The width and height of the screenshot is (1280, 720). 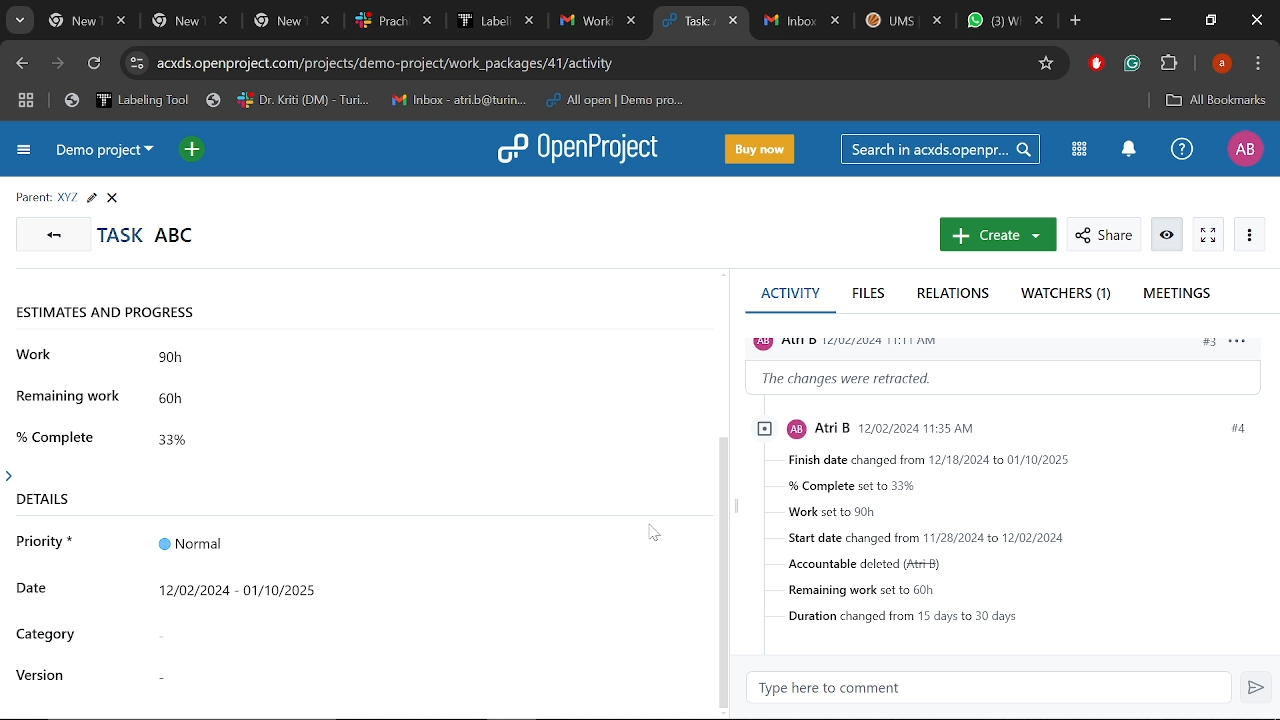 I want to click on Activity, so click(x=789, y=298).